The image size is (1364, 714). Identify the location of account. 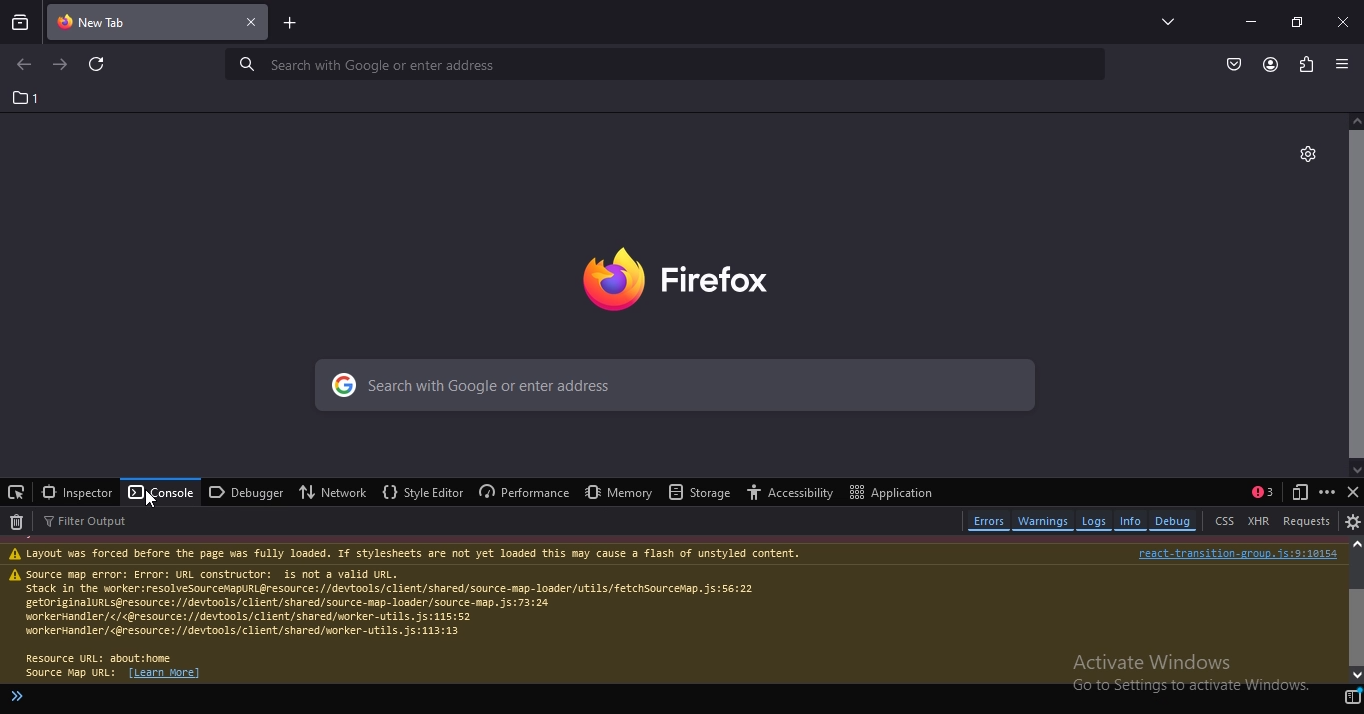
(1271, 64).